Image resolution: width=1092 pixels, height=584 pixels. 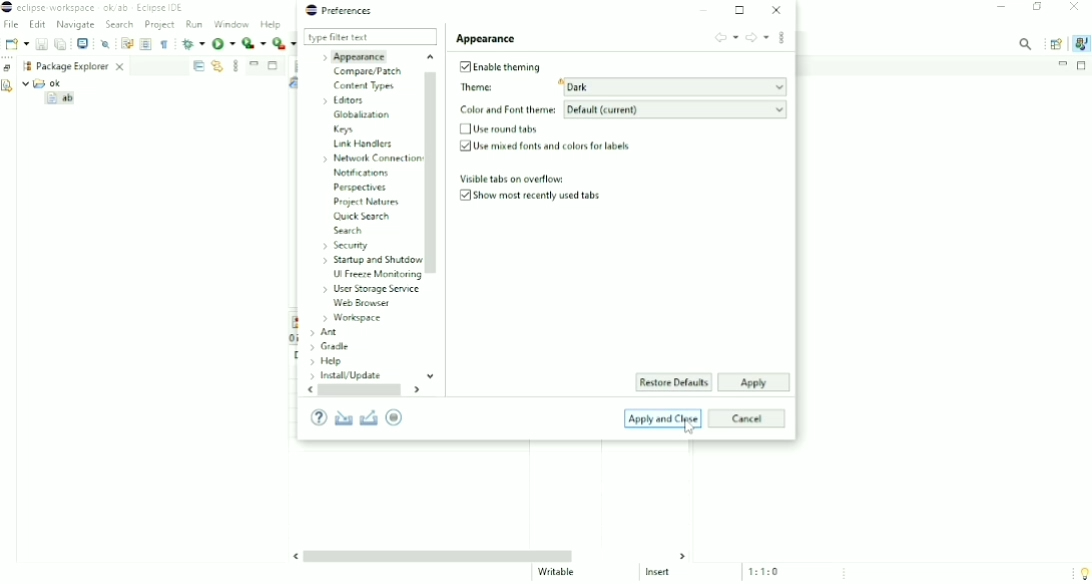 What do you see at coordinates (37, 25) in the screenshot?
I see `Edit` at bounding box center [37, 25].